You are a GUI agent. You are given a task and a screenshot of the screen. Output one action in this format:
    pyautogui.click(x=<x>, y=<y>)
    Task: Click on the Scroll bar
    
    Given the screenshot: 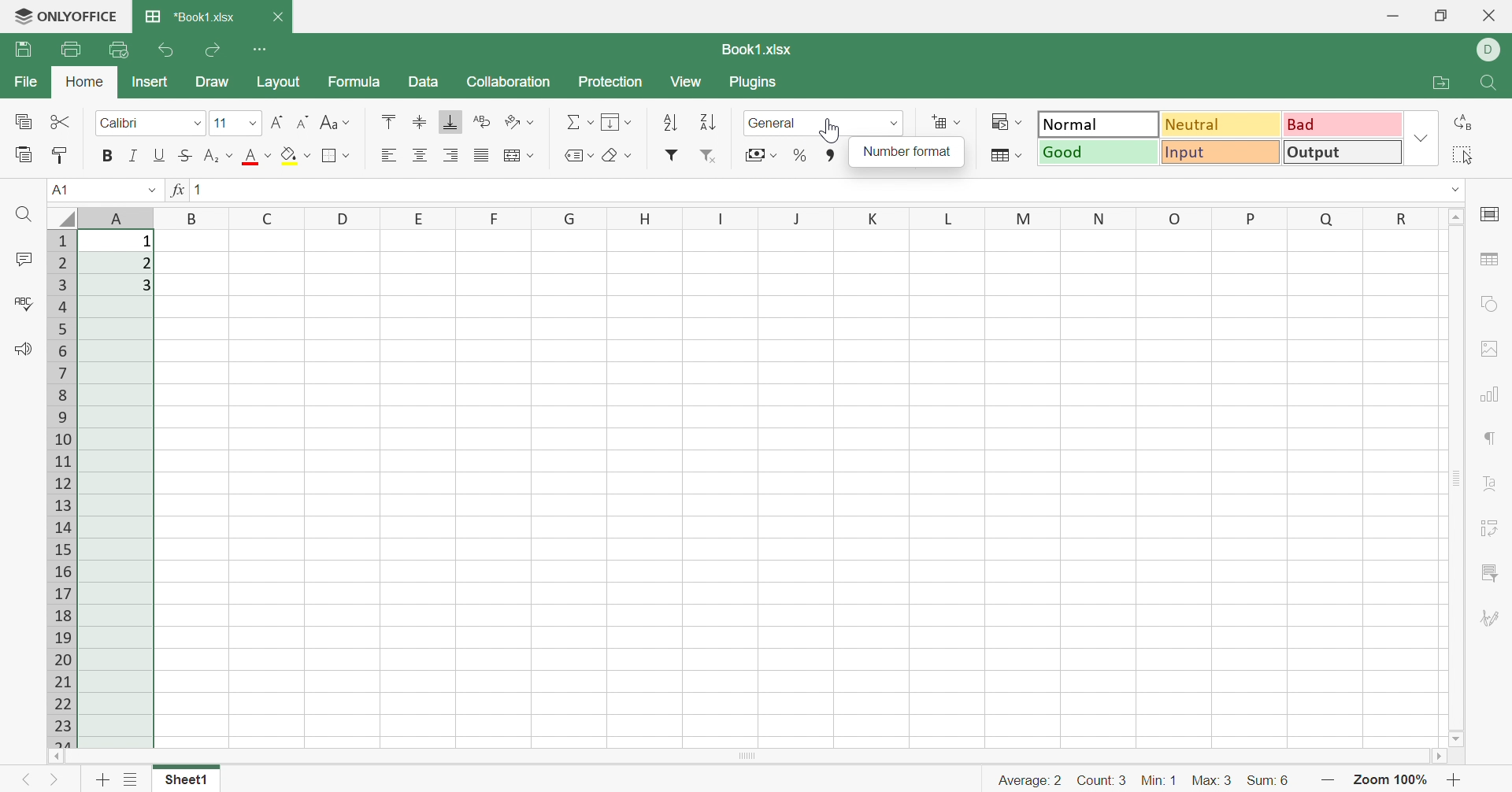 What is the action you would take?
    pyautogui.click(x=742, y=757)
    